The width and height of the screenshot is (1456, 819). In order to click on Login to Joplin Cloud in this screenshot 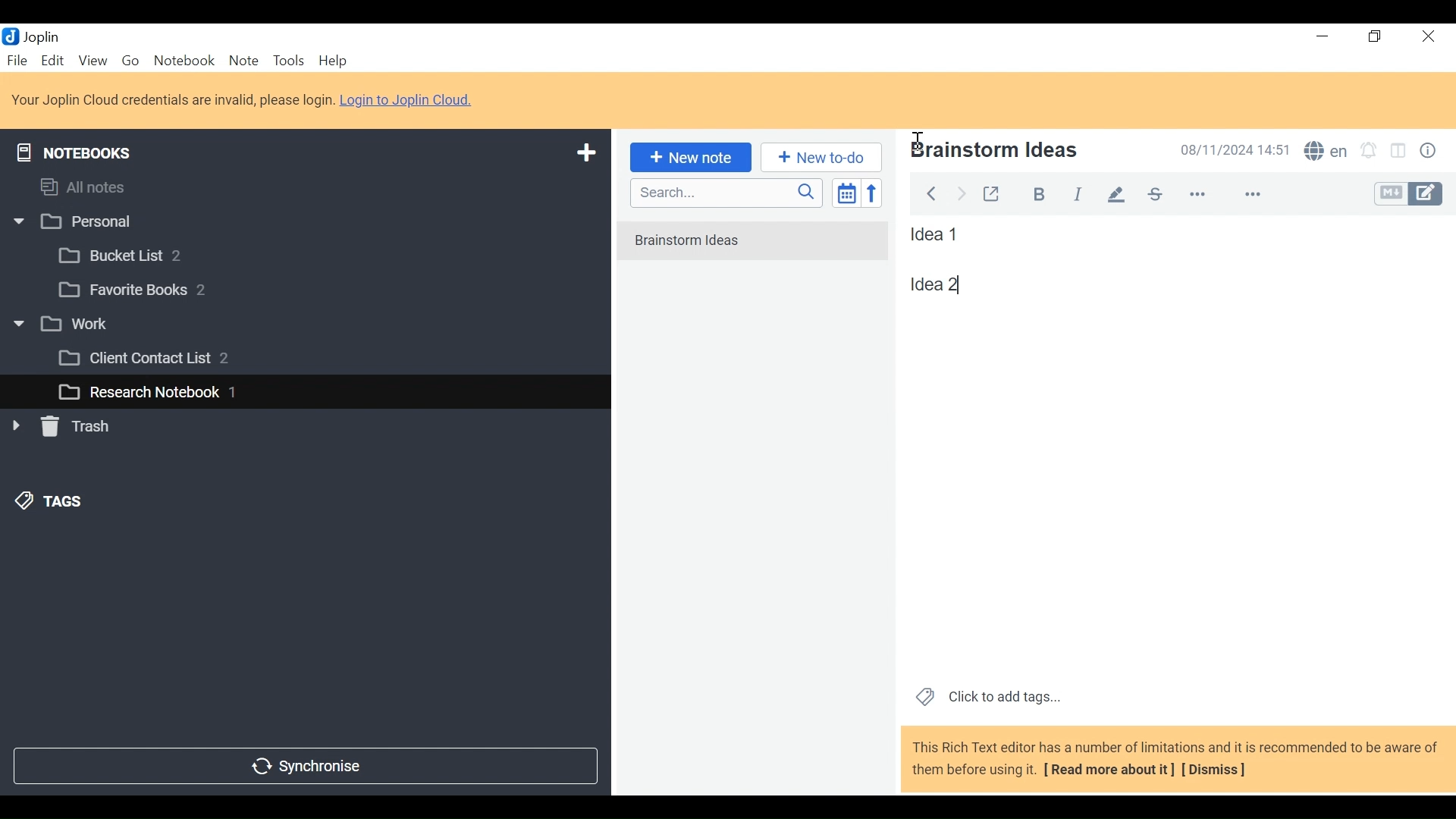, I will do `click(411, 101)`.